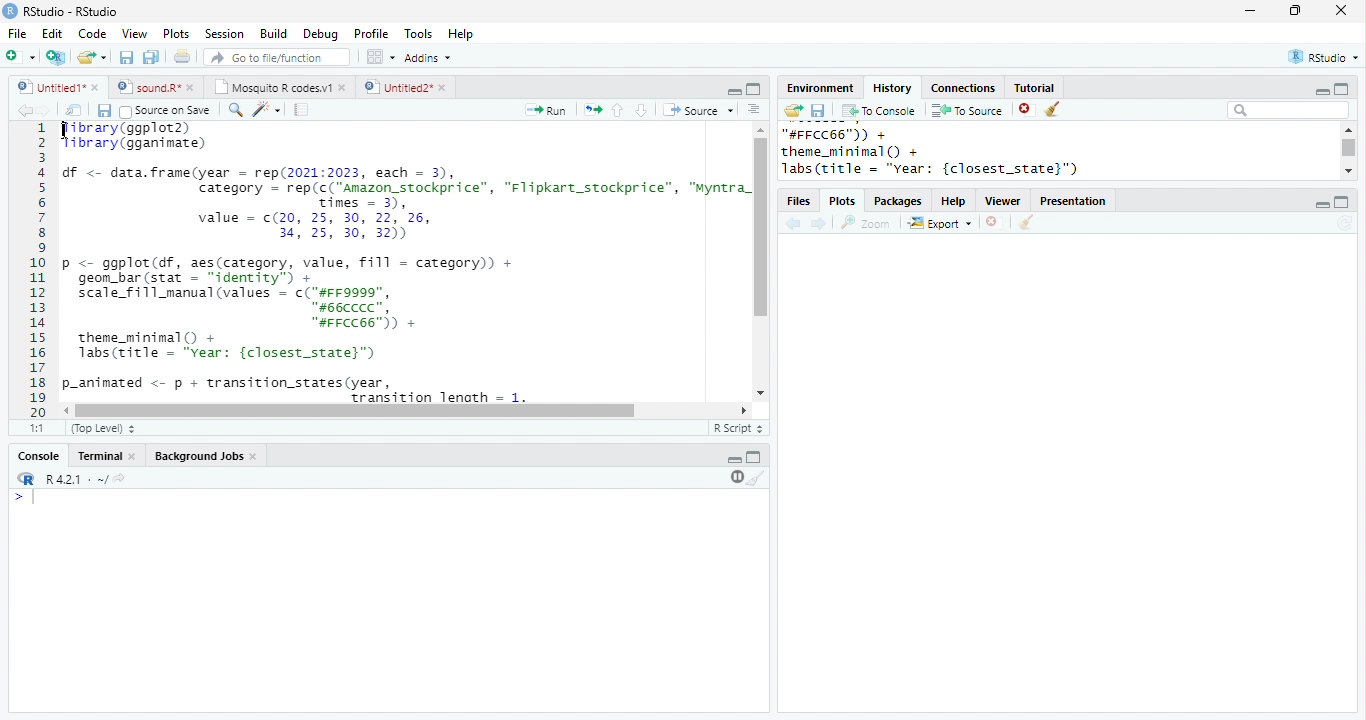 The width and height of the screenshot is (1366, 720). I want to click on Zoom, so click(866, 223).